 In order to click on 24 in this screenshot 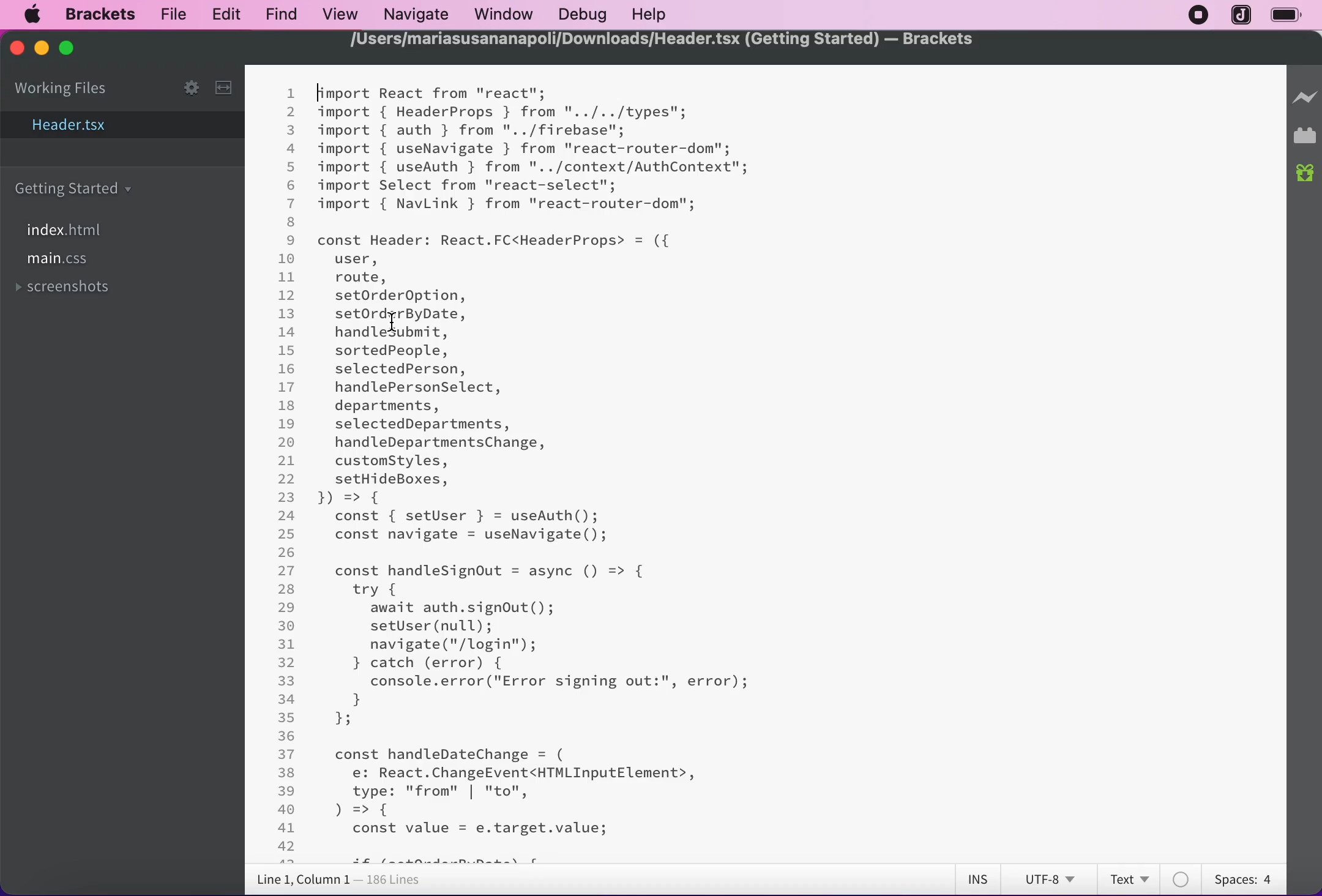, I will do `click(286, 515)`.